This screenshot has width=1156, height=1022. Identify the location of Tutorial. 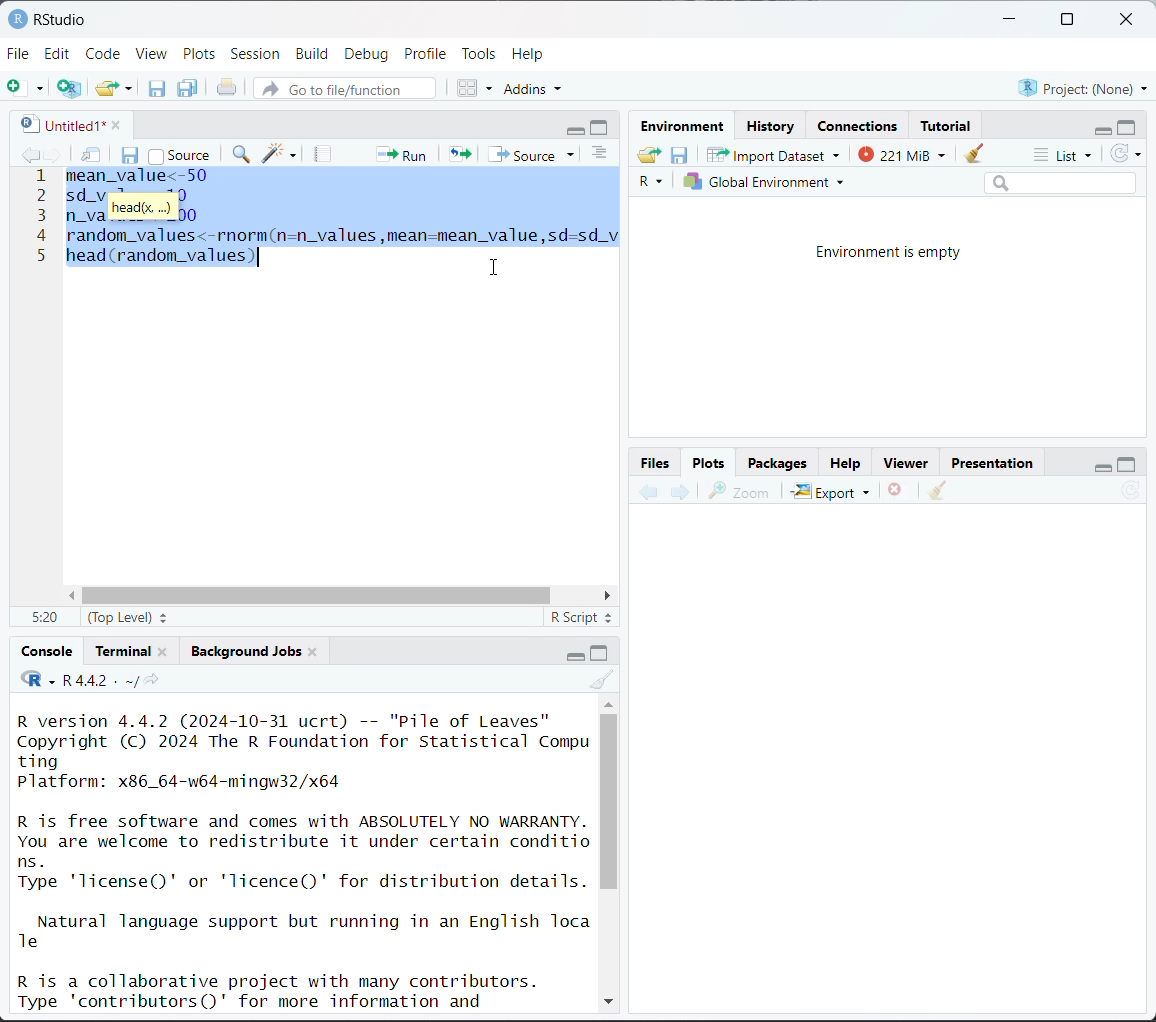
(948, 123).